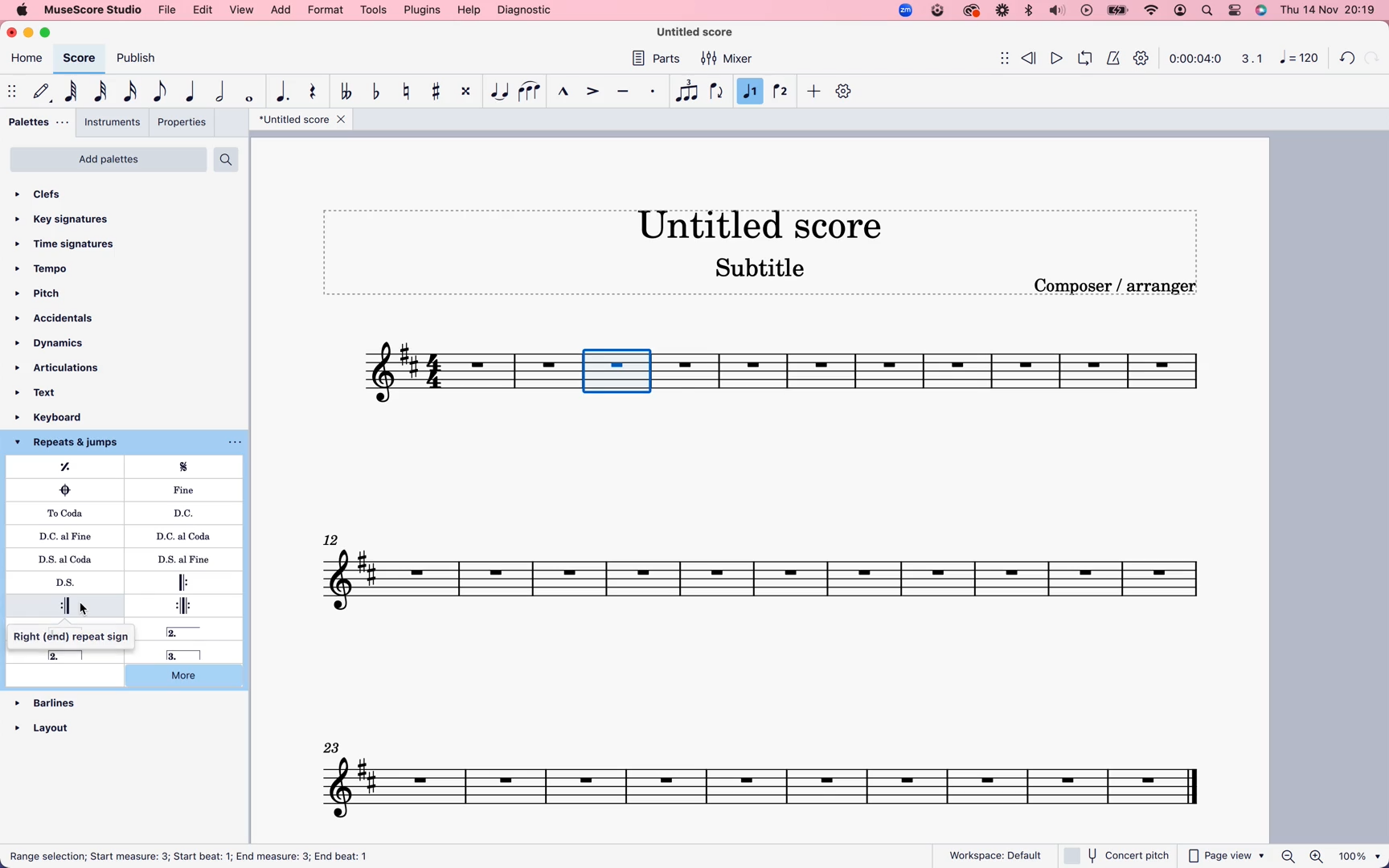 The height and width of the screenshot is (868, 1389). Describe the element at coordinates (76, 444) in the screenshot. I see `repeats & jumps` at that location.